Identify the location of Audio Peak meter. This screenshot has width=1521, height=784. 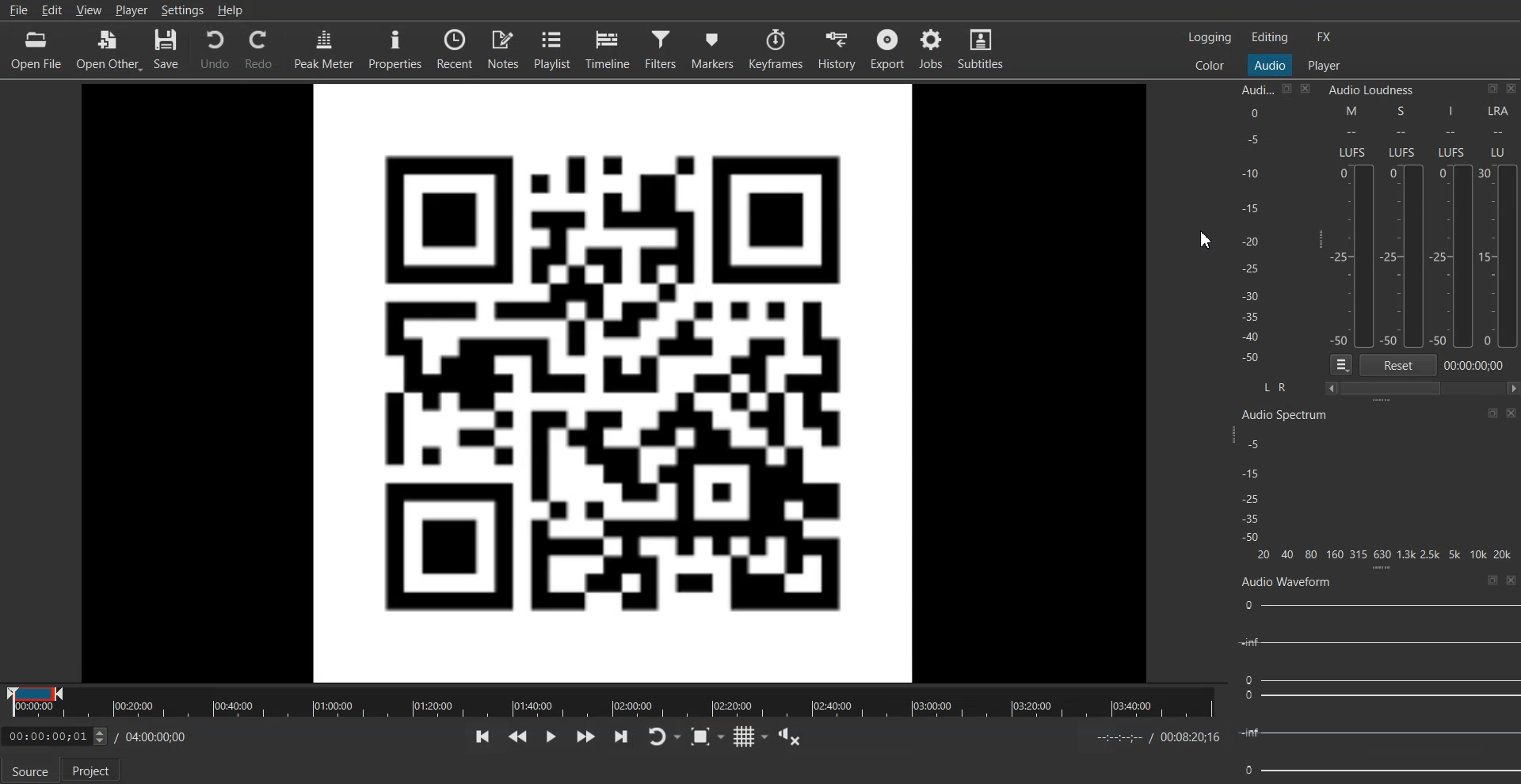
(1248, 229).